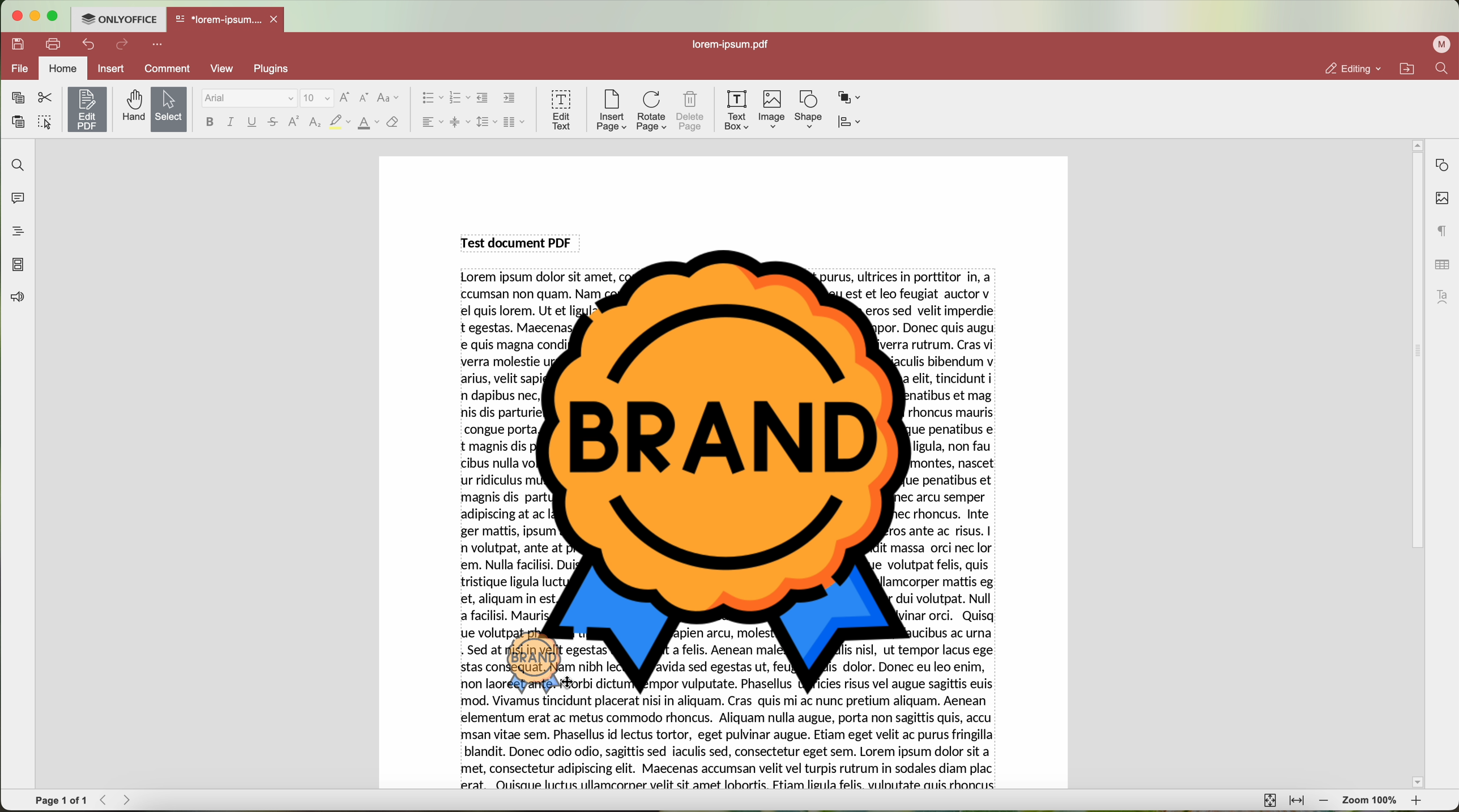 The width and height of the screenshot is (1459, 812). What do you see at coordinates (248, 99) in the screenshot?
I see `Arial` at bounding box center [248, 99].